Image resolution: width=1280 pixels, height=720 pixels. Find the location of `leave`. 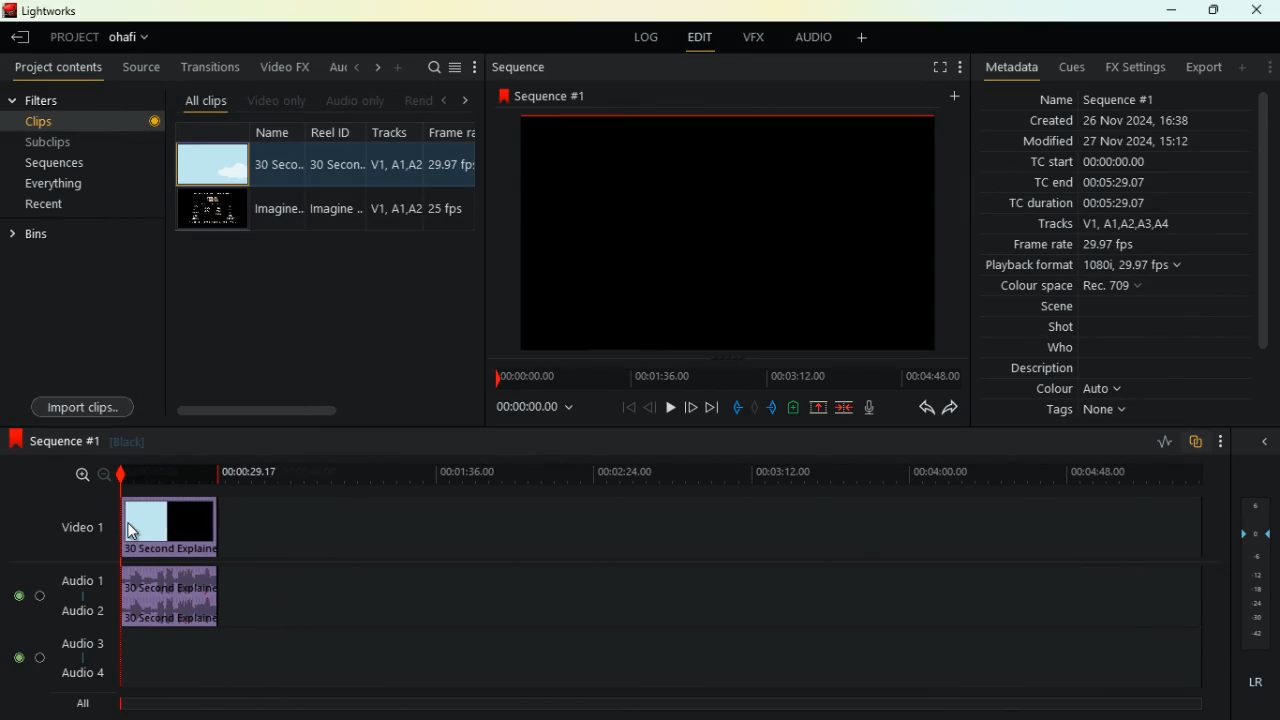

leave is located at coordinates (21, 36).